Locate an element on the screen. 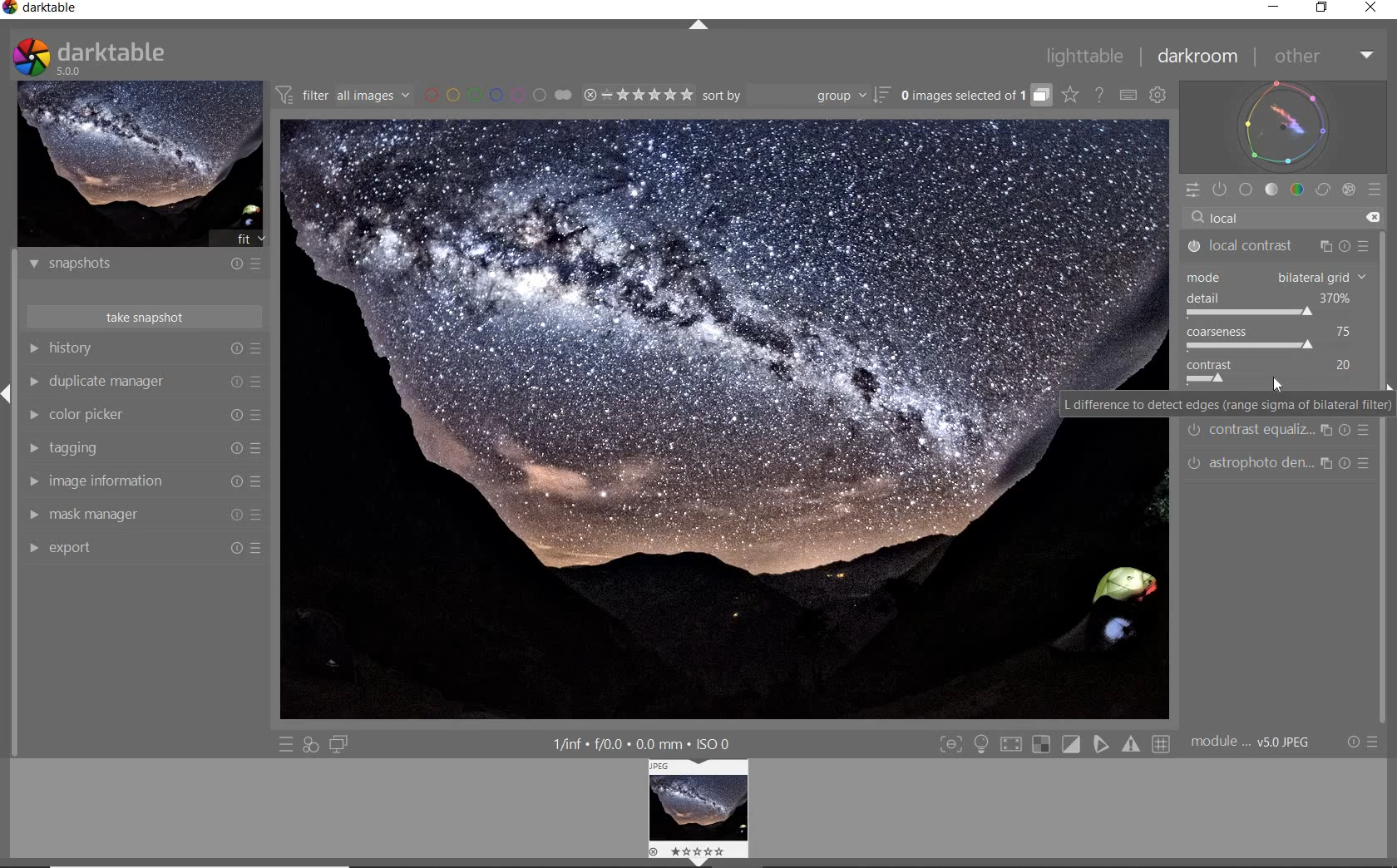 This screenshot has width=1397, height=868. DISPLAYED GUI INFO is located at coordinates (641, 743).